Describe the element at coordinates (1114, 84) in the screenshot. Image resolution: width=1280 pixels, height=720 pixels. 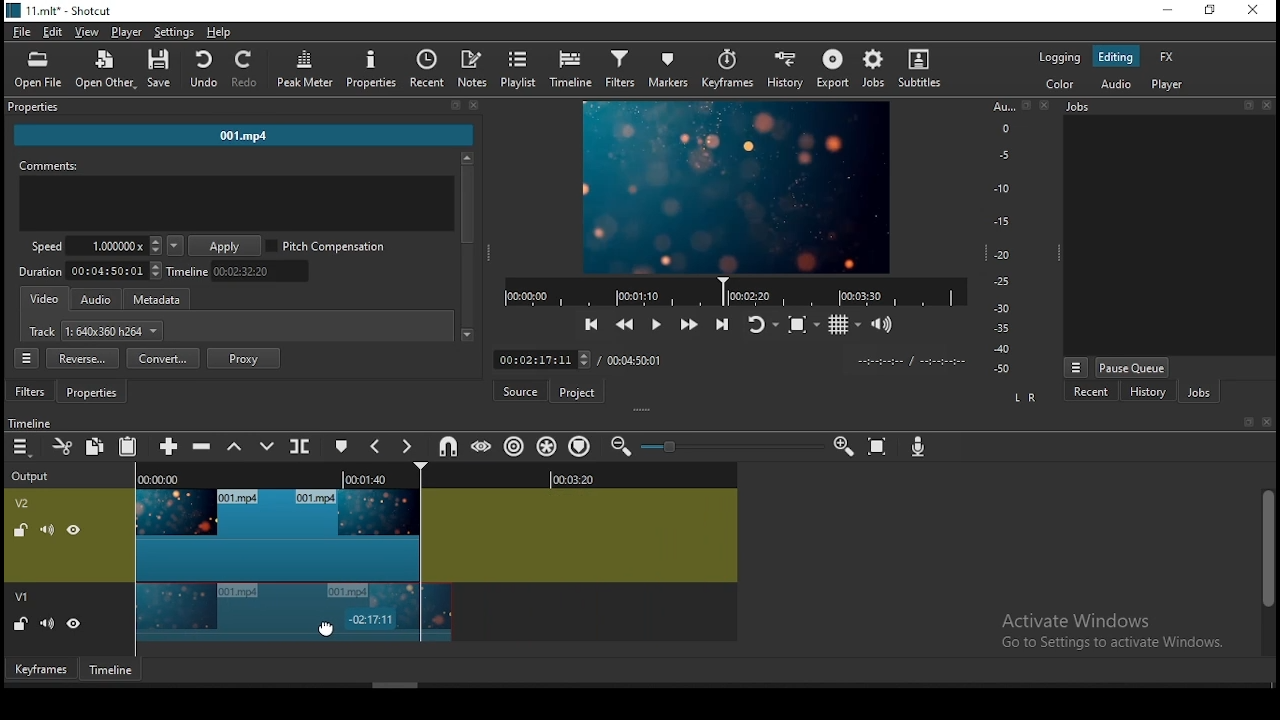
I see `audio` at that location.